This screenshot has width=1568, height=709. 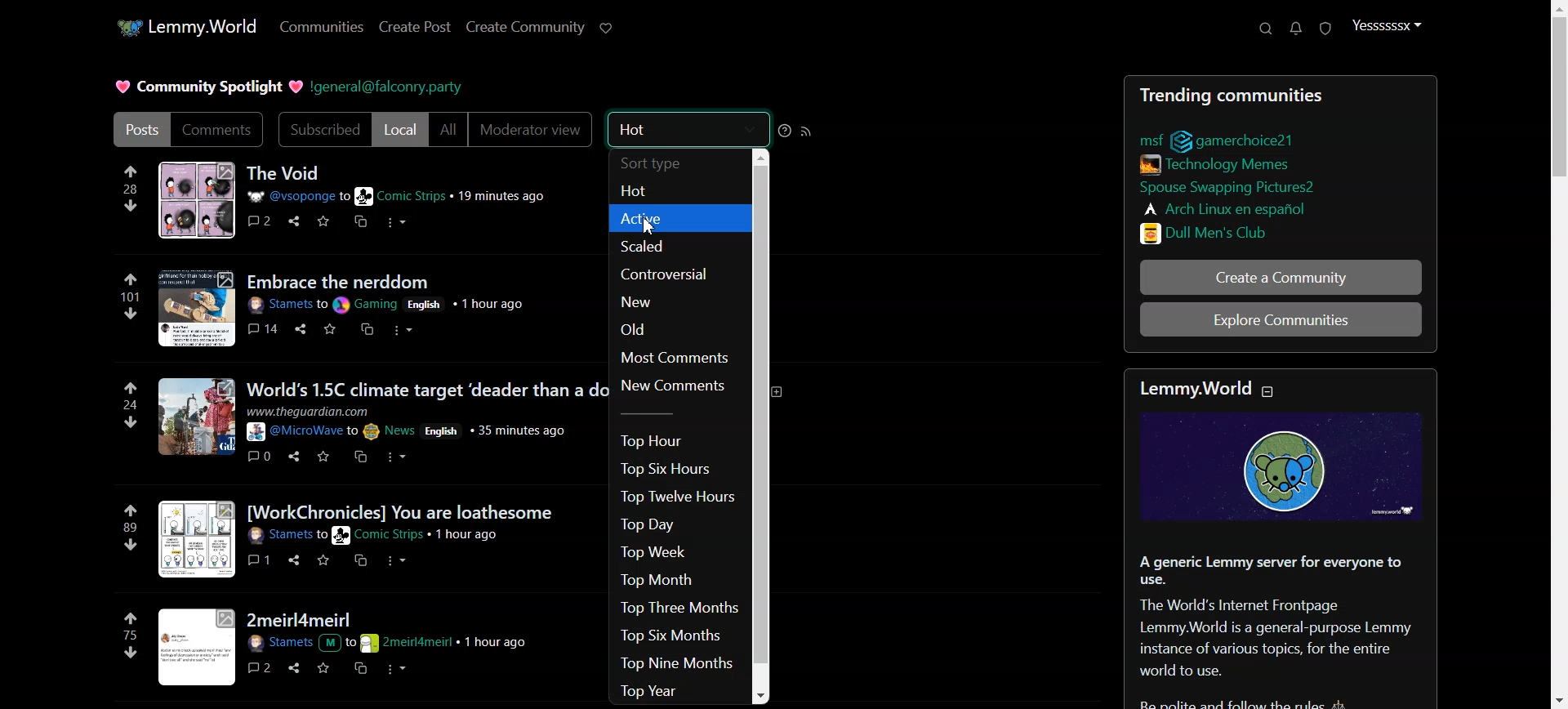 I want to click on Top Six Months, so click(x=672, y=634).